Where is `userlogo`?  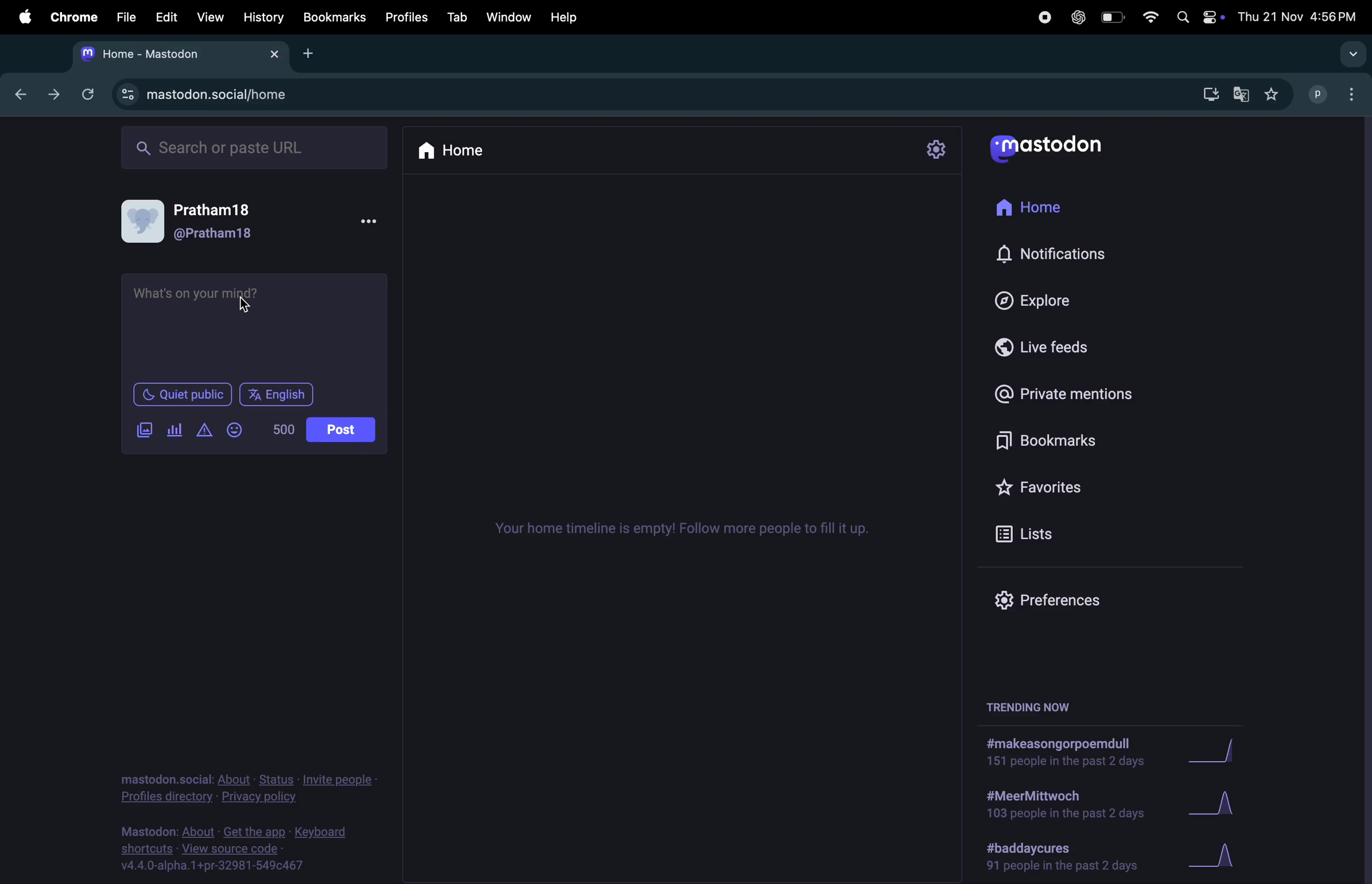 userlogo is located at coordinates (1045, 149).